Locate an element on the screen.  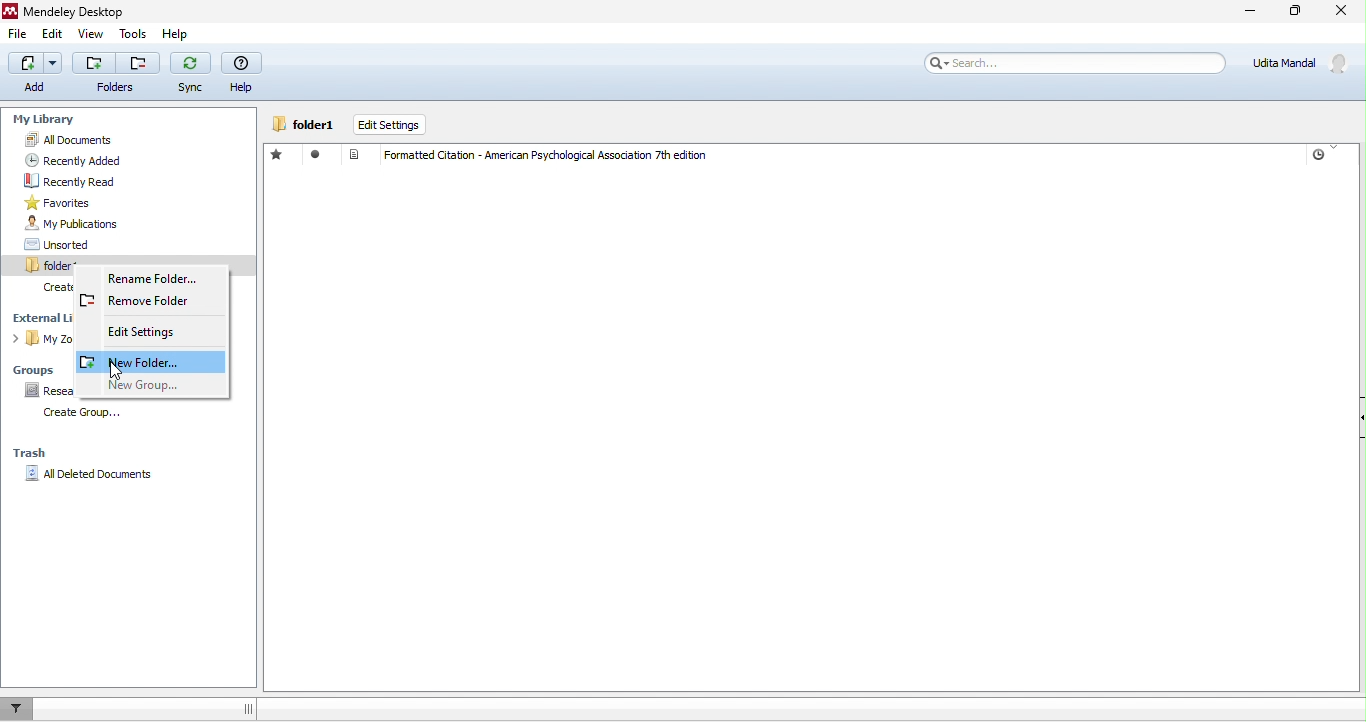
create group is located at coordinates (79, 412).